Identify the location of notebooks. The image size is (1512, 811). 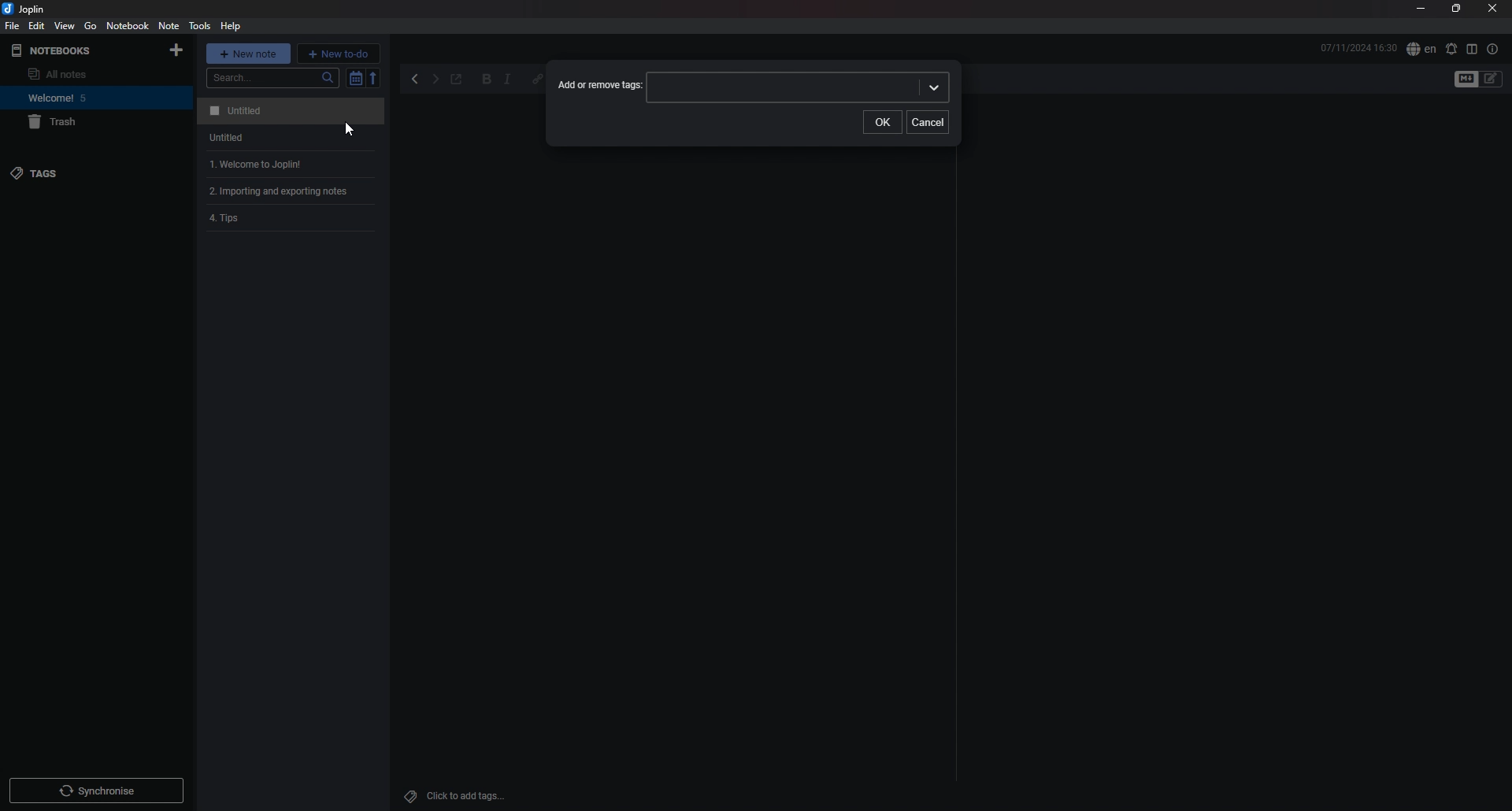
(74, 50).